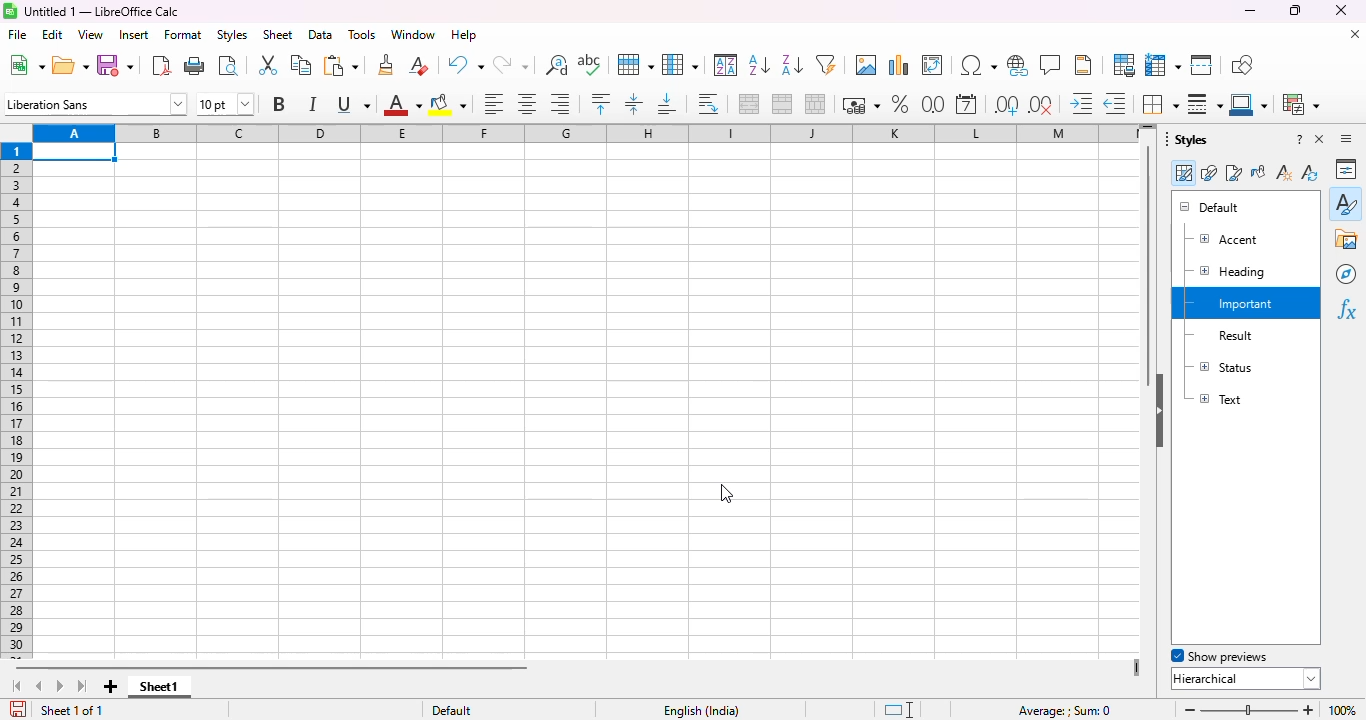 The height and width of the screenshot is (720, 1366). I want to click on sort descending, so click(793, 65).